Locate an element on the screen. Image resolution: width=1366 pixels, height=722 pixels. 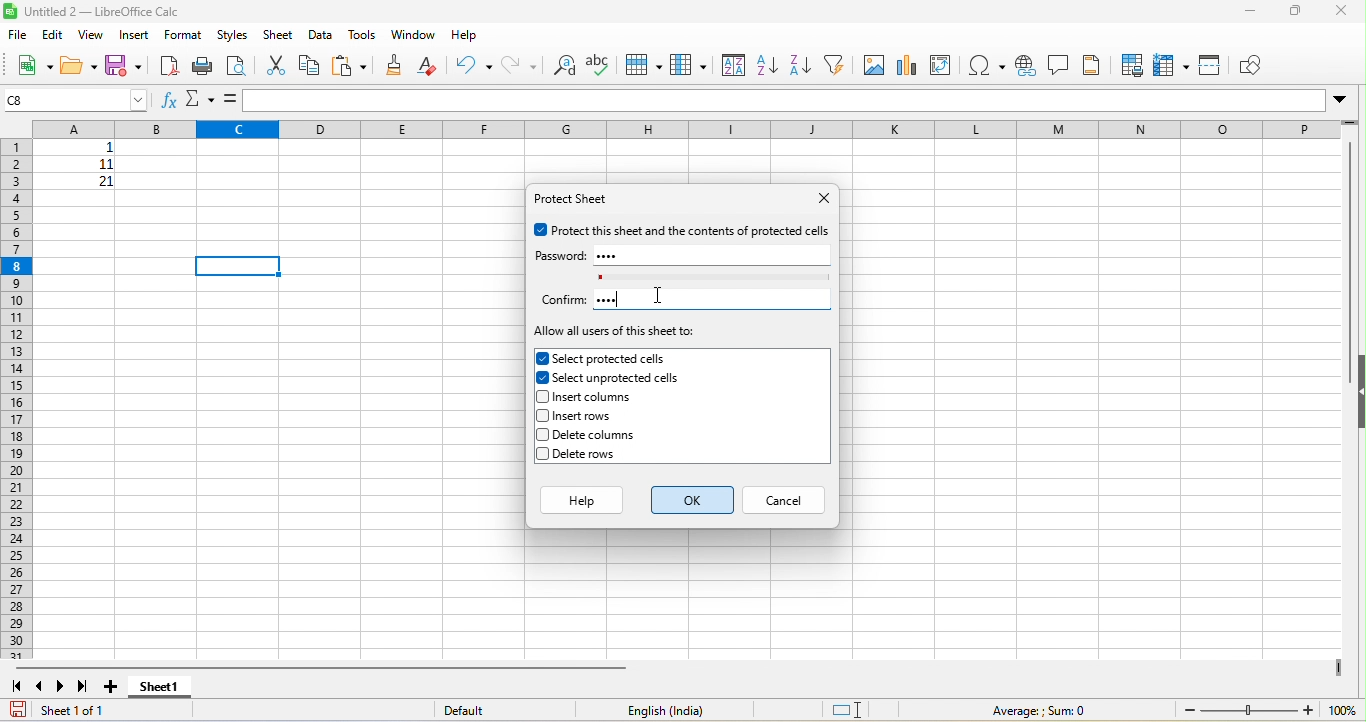
cursor movement is located at coordinates (657, 295).